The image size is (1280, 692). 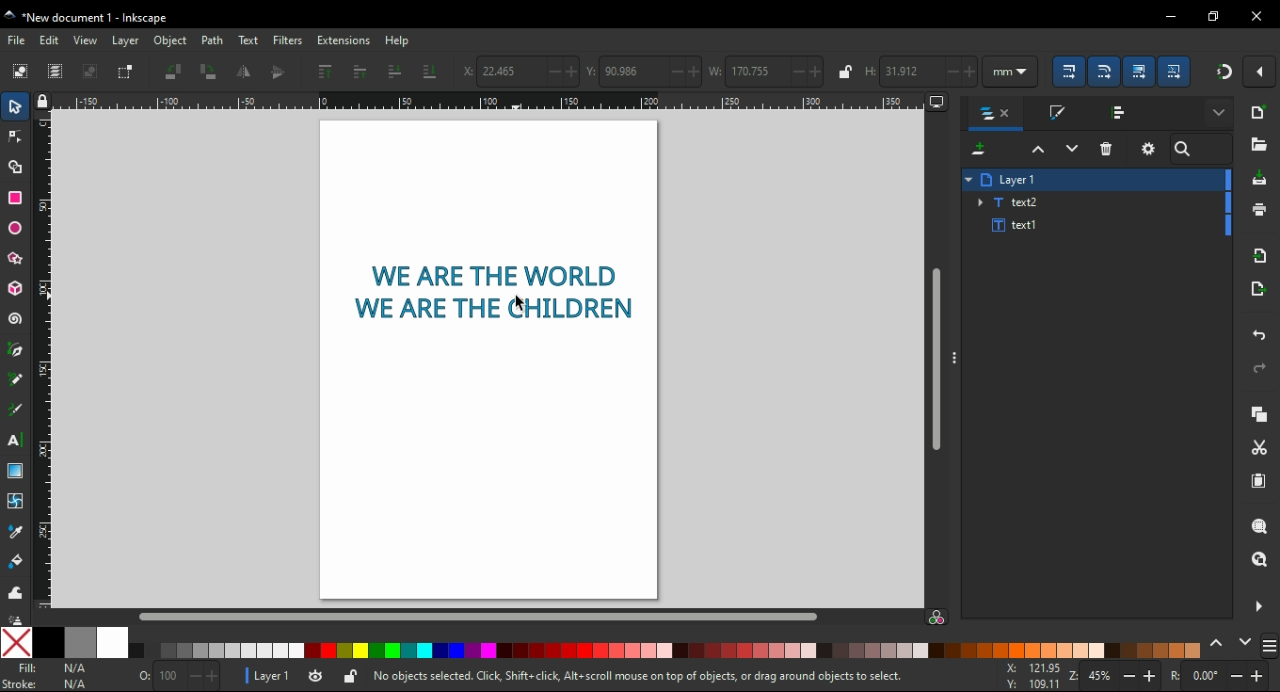 I want to click on cut, so click(x=1262, y=449).